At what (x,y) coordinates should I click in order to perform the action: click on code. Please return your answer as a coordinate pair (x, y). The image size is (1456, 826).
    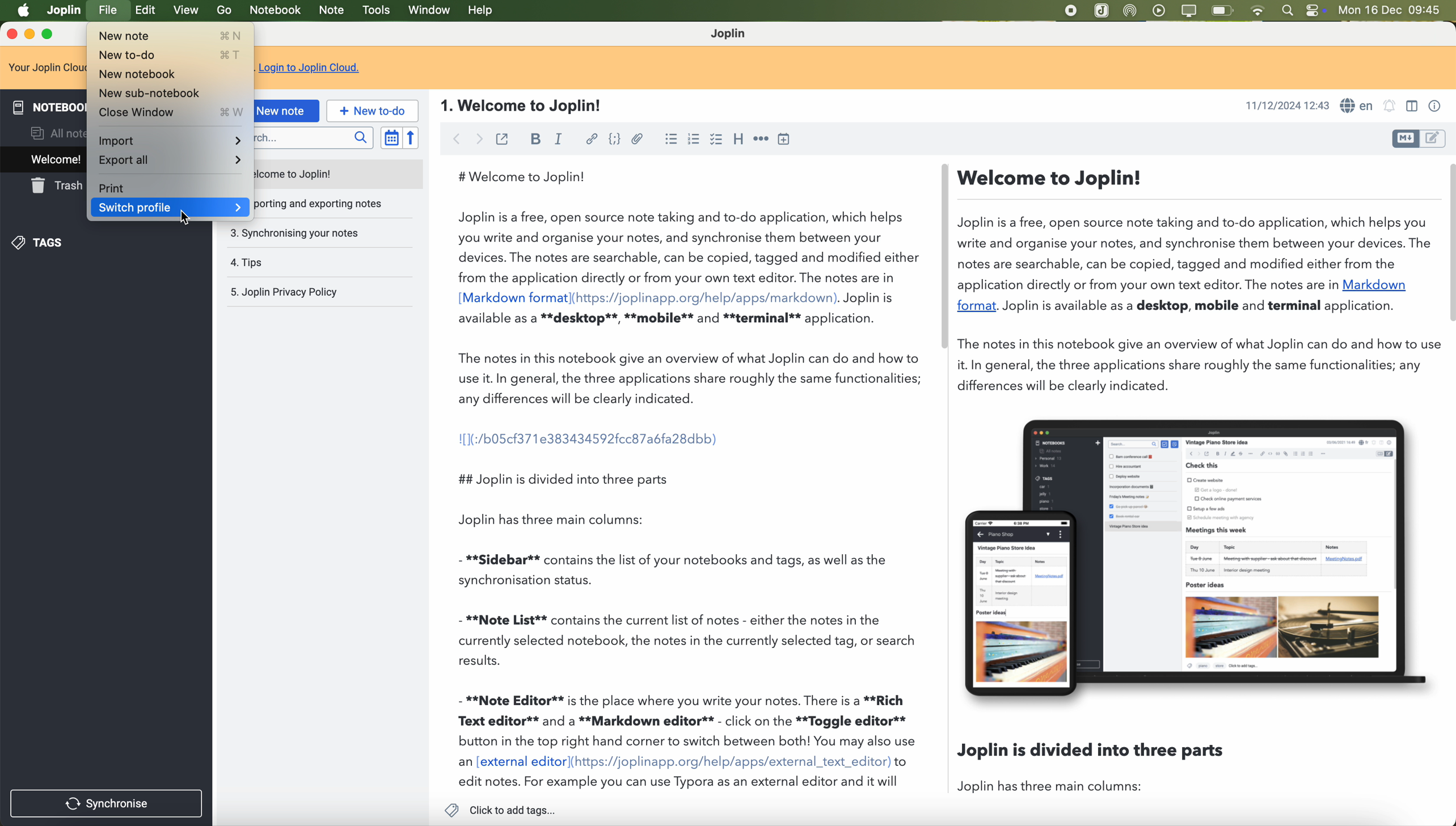
    Looking at the image, I should click on (614, 138).